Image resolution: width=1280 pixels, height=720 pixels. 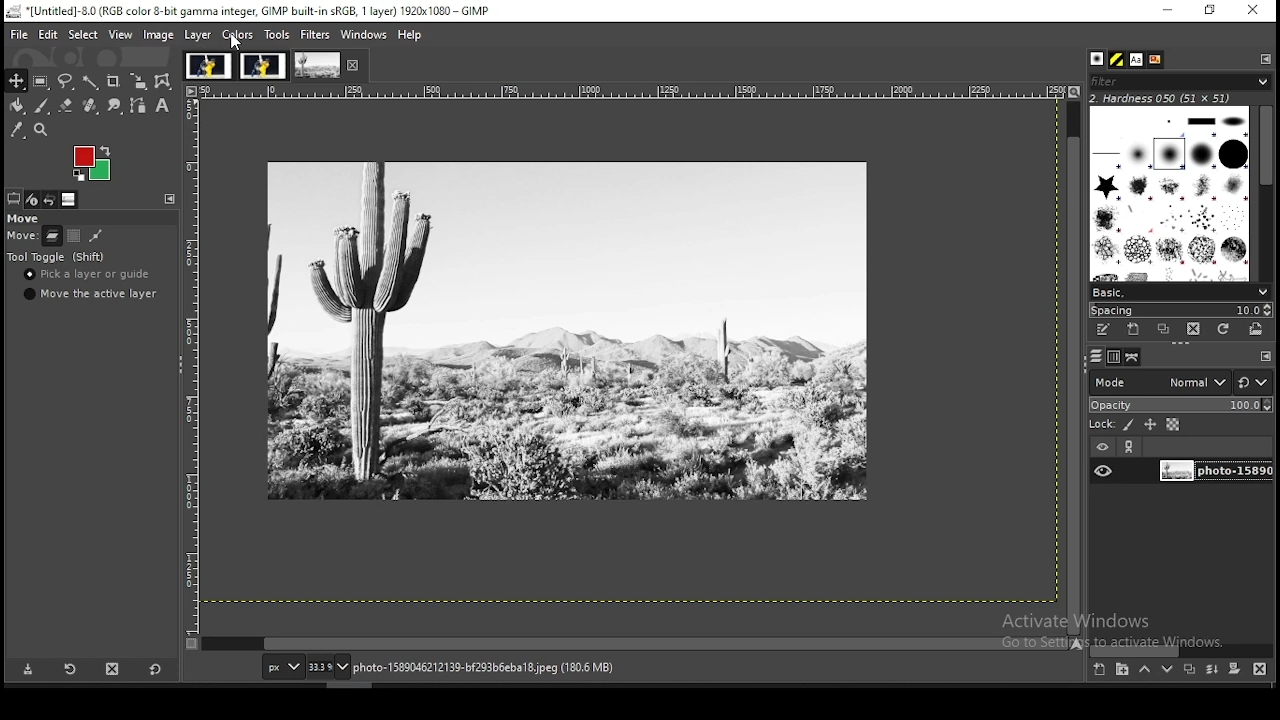 What do you see at coordinates (1214, 669) in the screenshot?
I see `merge layer` at bounding box center [1214, 669].